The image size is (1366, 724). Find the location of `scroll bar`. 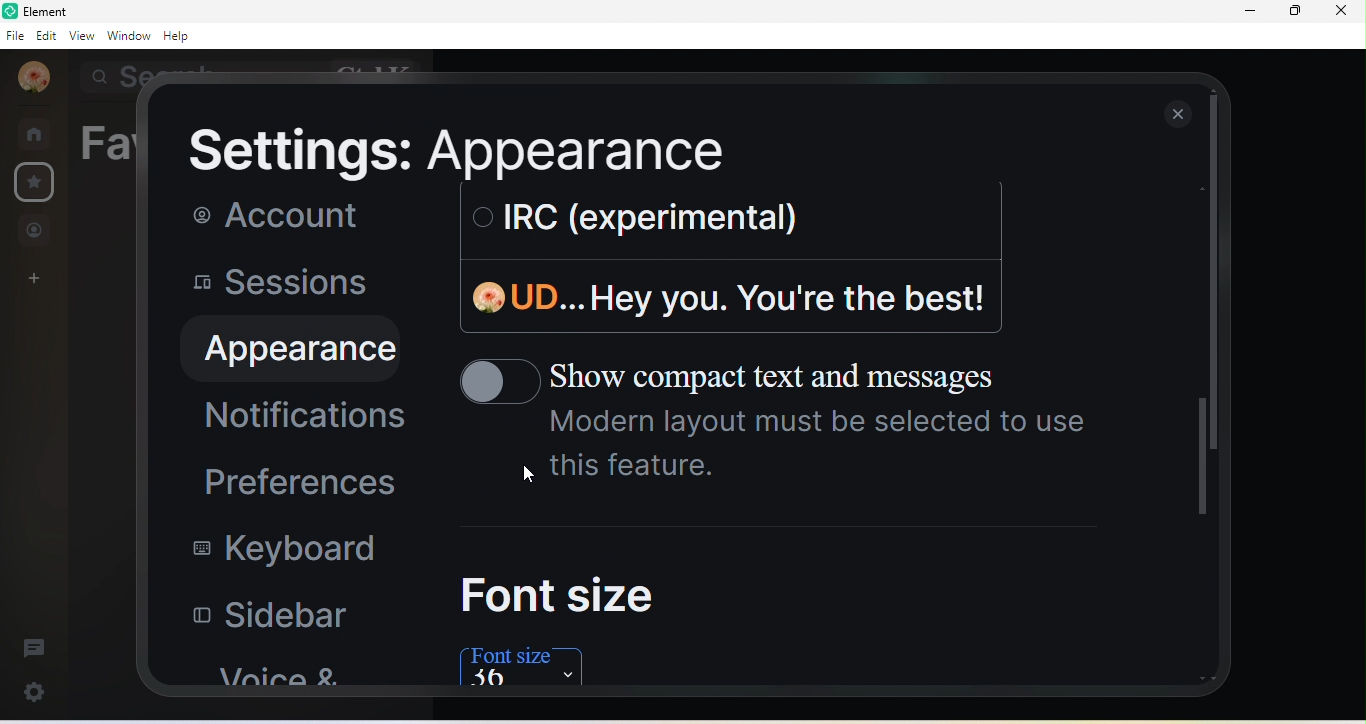

scroll bar is located at coordinates (1198, 467).